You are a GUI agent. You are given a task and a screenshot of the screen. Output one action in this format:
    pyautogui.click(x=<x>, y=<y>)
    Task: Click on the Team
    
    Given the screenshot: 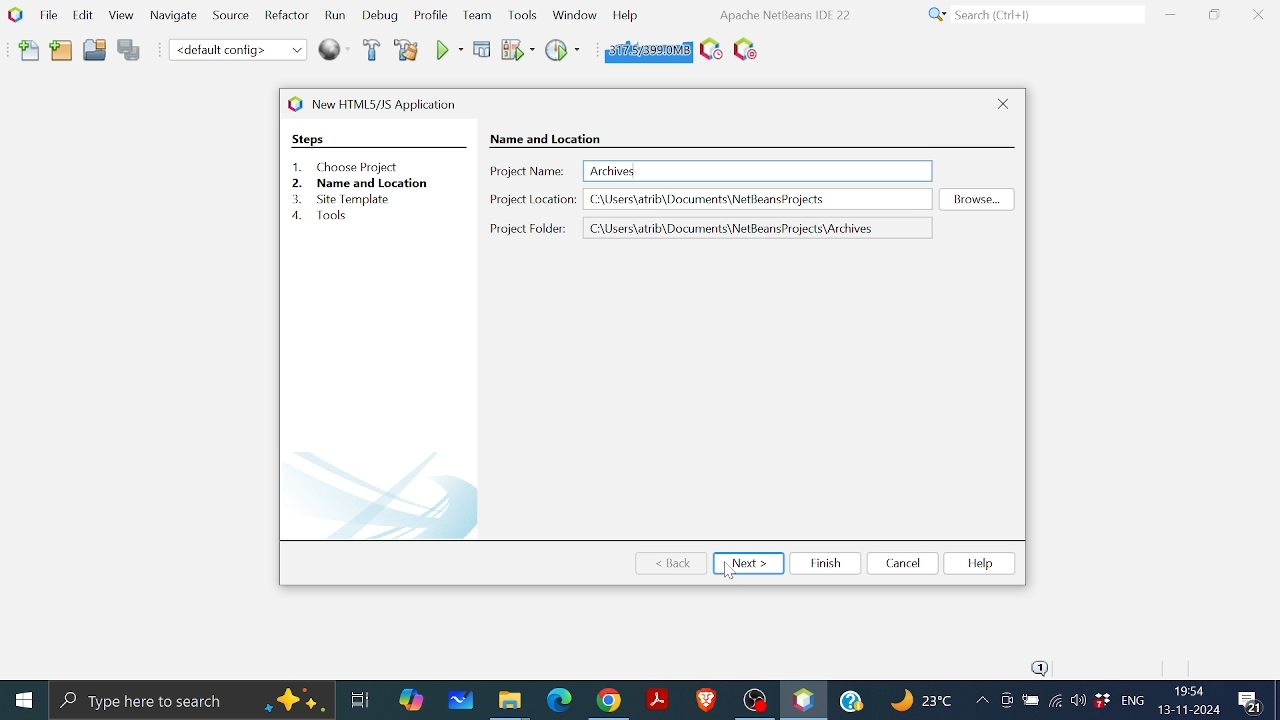 What is the action you would take?
    pyautogui.click(x=475, y=16)
    